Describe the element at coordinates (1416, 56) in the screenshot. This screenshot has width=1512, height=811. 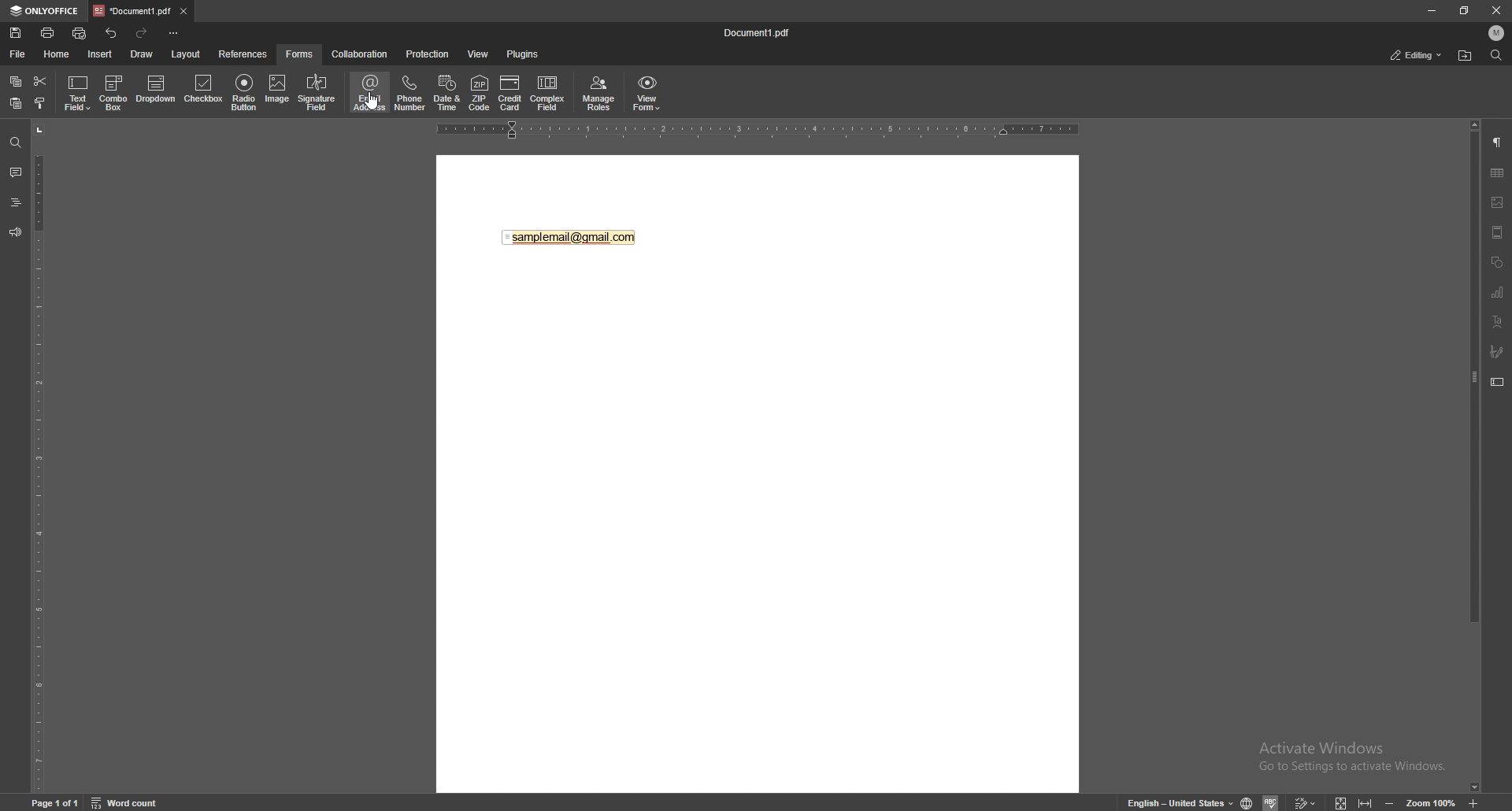
I see `status` at that location.